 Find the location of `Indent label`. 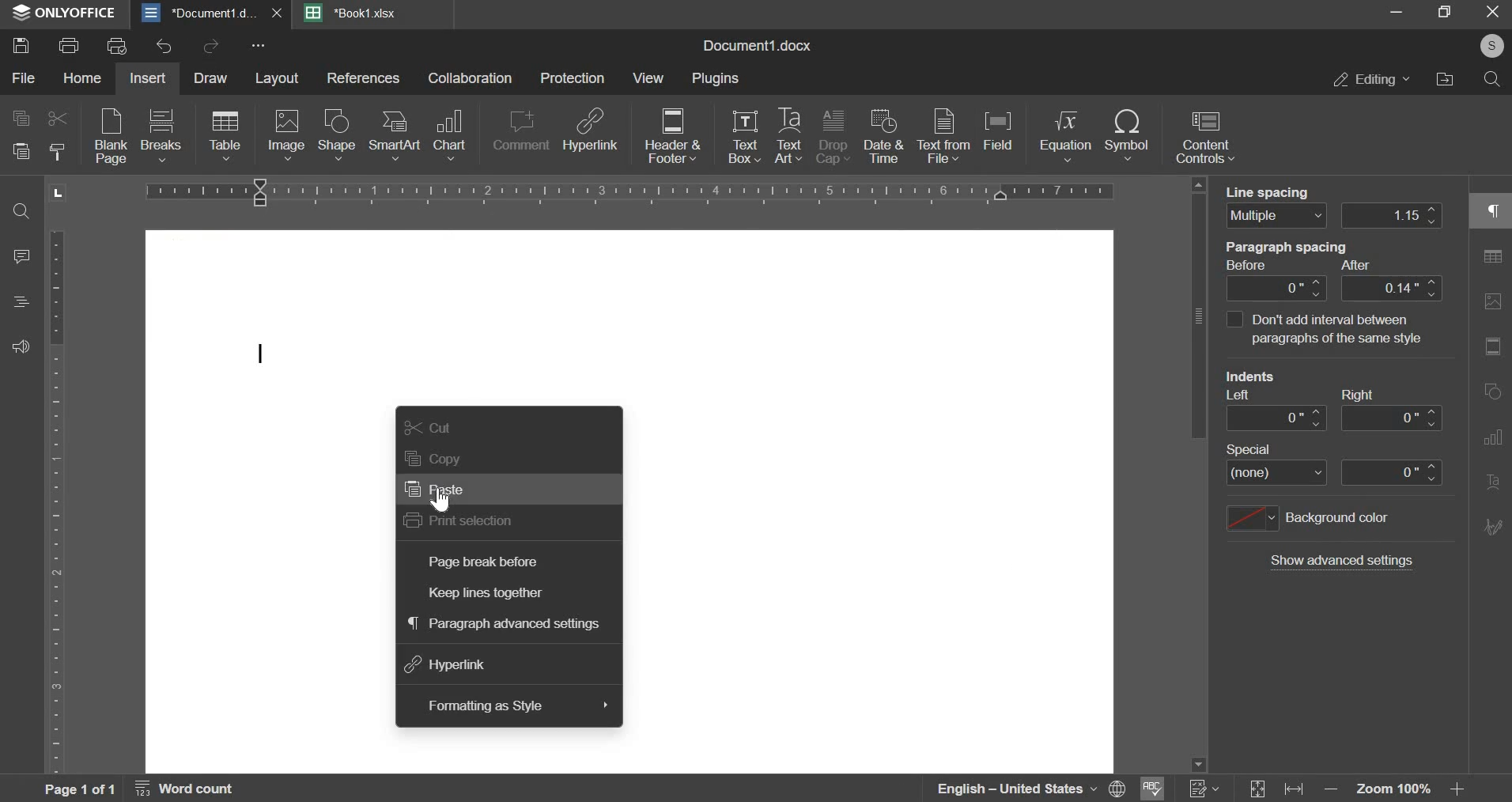

Indent label is located at coordinates (1303, 382).